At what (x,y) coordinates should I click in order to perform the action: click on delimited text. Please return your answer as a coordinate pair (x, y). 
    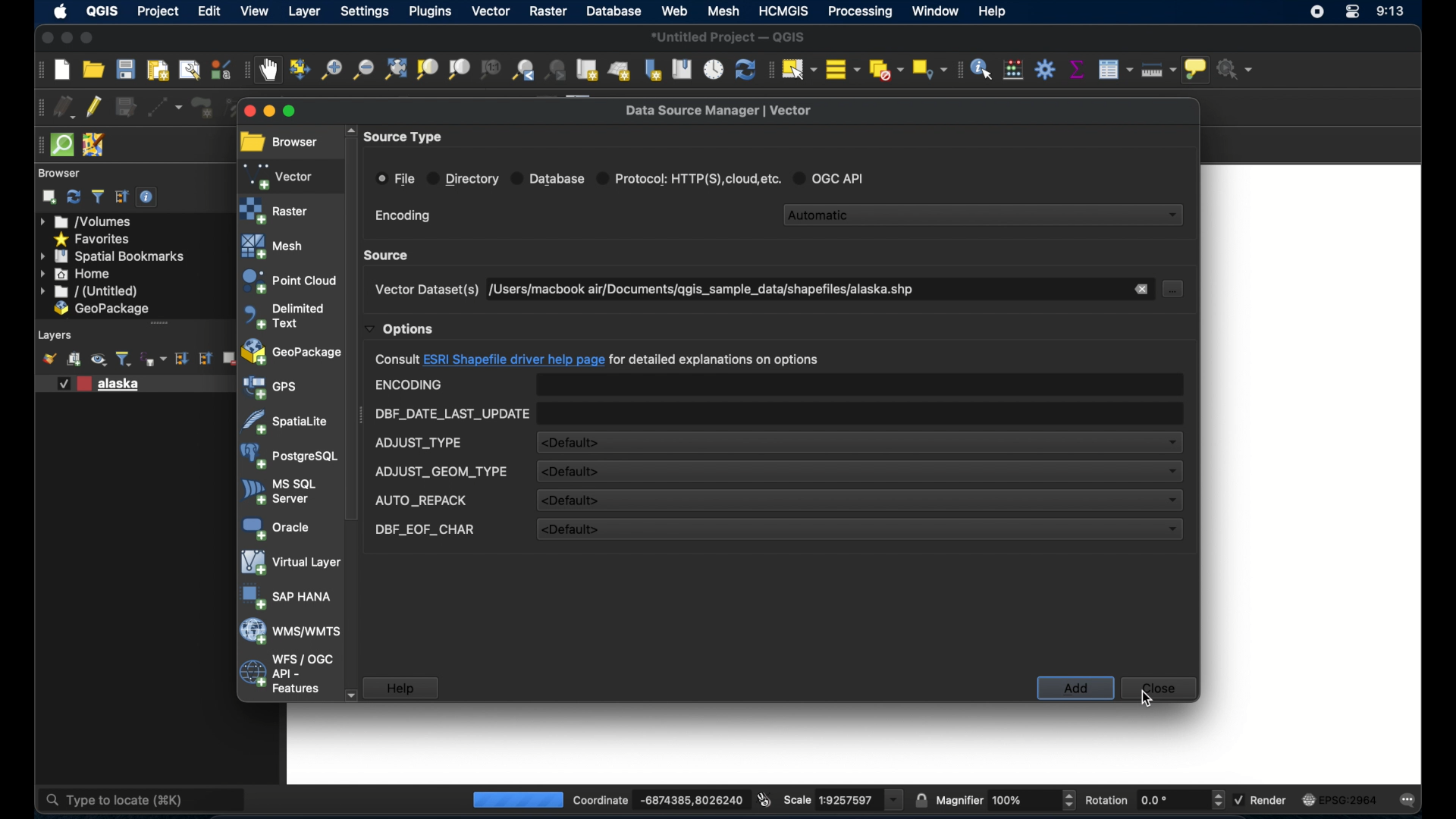
    Looking at the image, I should click on (283, 315).